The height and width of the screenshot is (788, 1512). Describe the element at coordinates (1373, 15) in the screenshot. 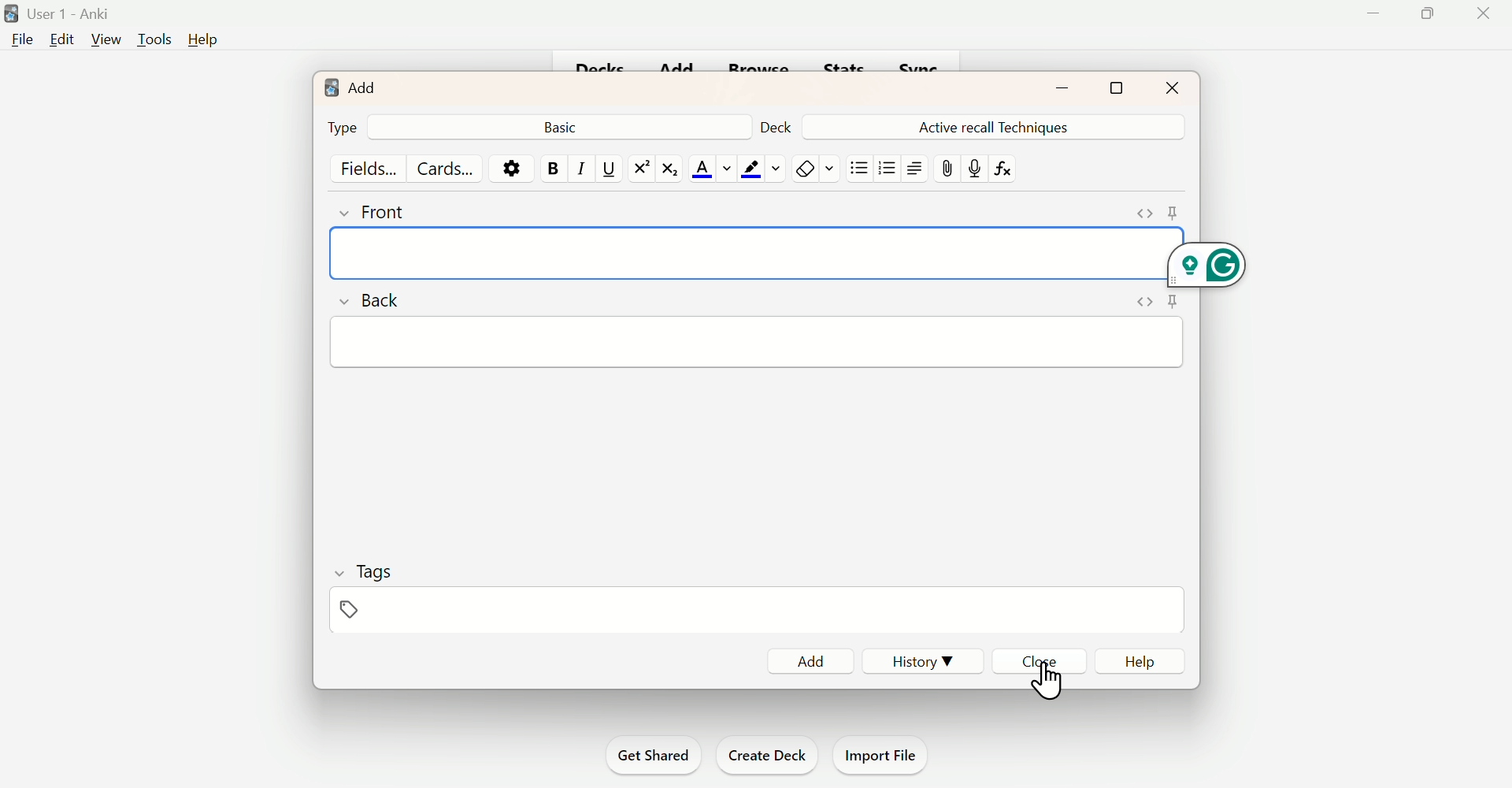

I see `Minimise` at that location.